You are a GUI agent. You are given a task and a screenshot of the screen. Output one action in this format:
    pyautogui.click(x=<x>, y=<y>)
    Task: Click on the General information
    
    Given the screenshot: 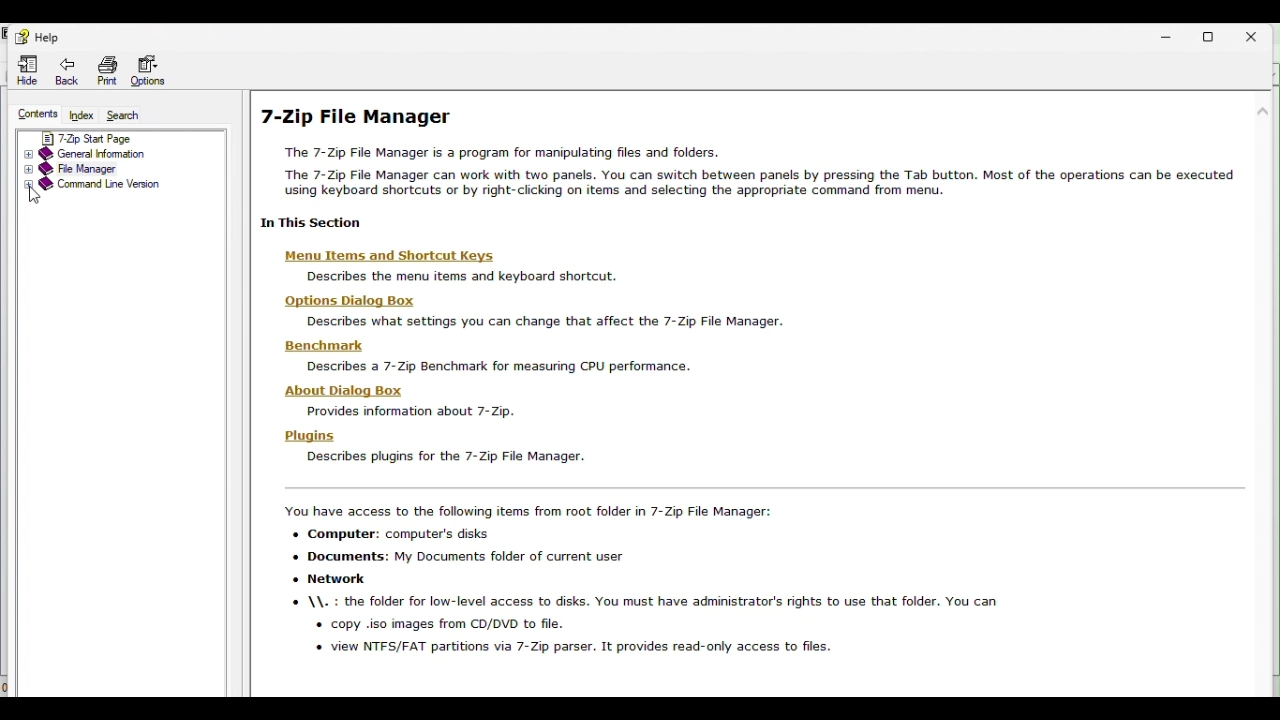 What is the action you would take?
    pyautogui.click(x=108, y=154)
    